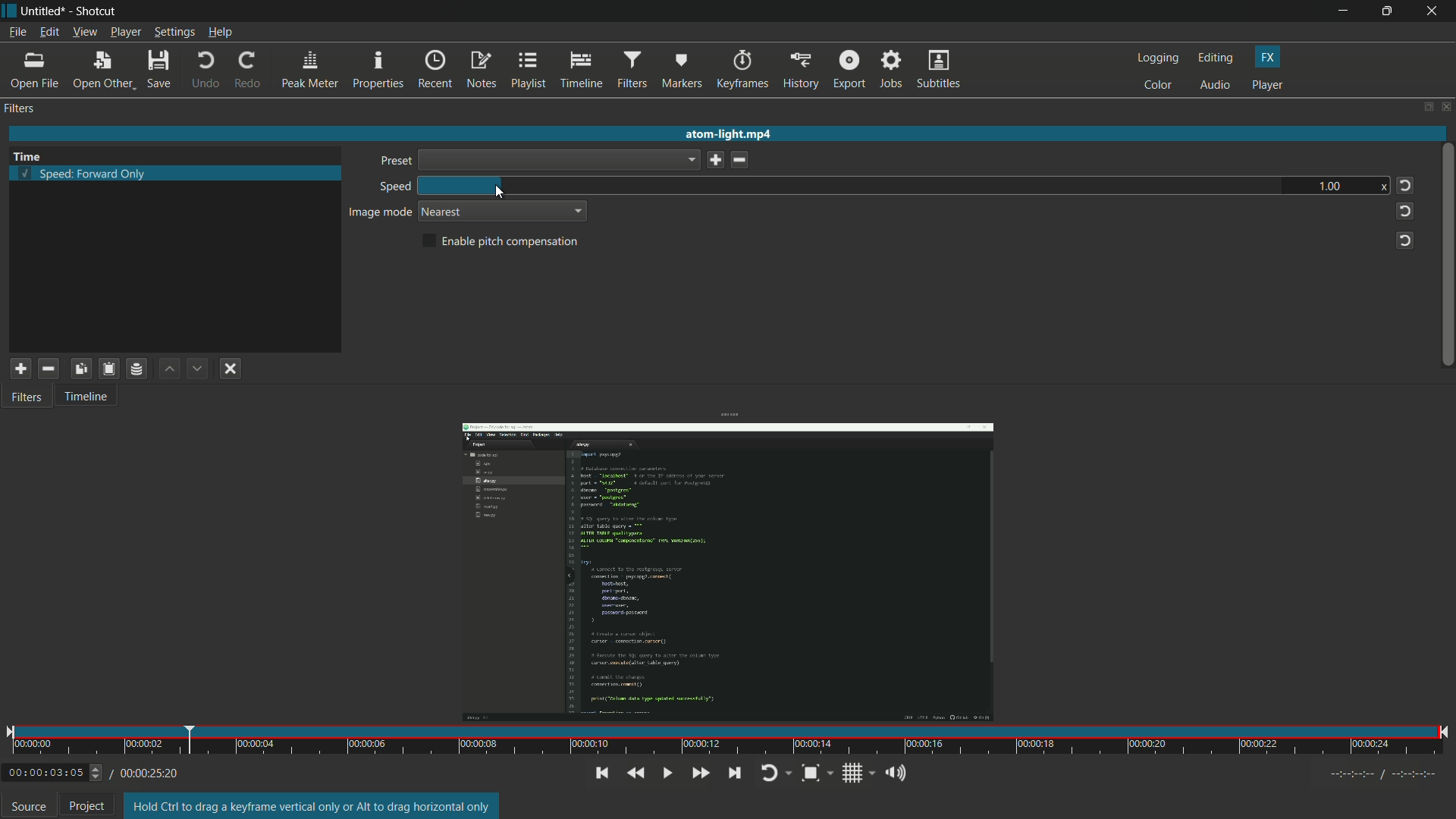  Describe the element at coordinates (743, 69) in the screenshot. I see `keyframes` at that location.